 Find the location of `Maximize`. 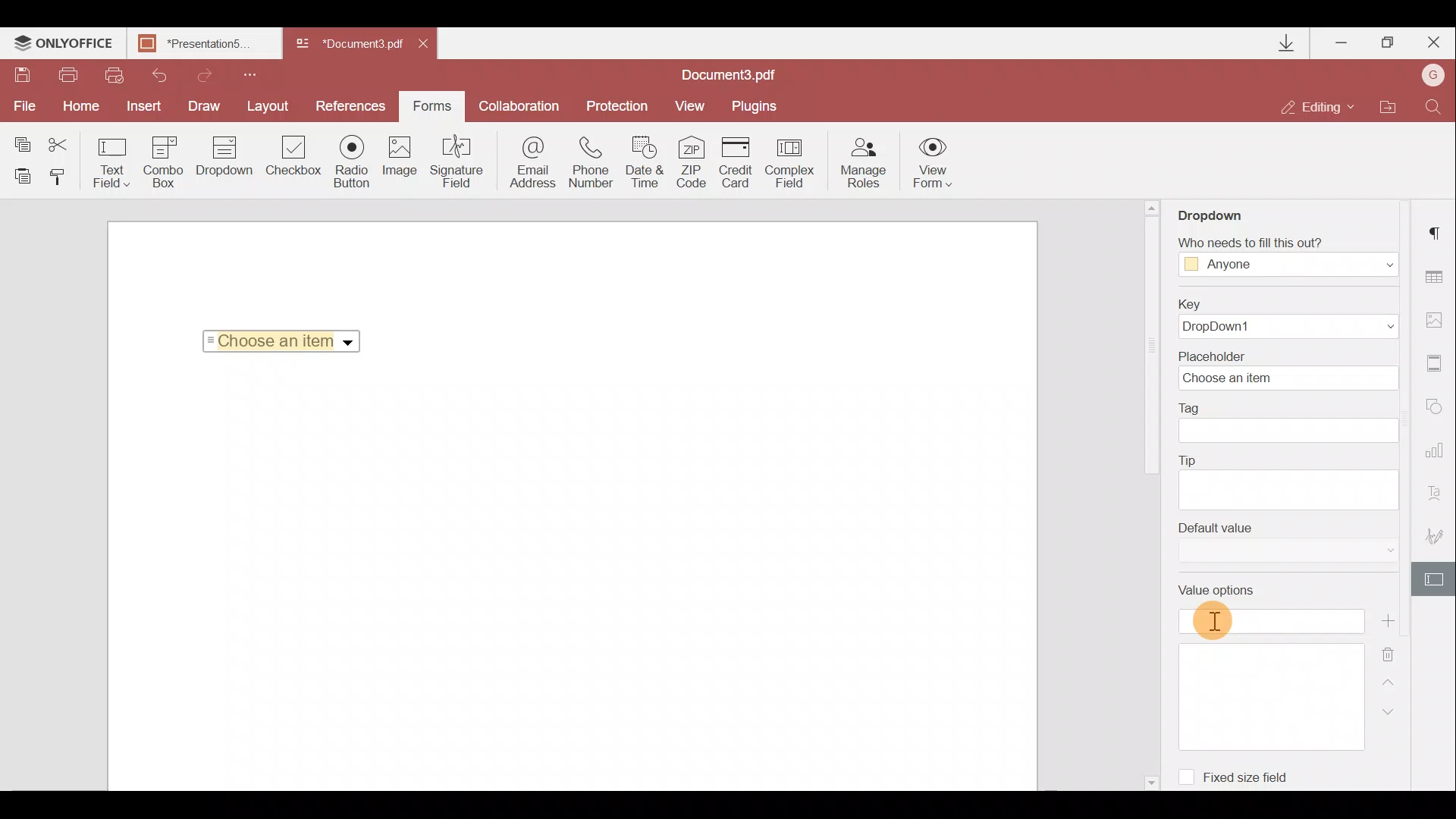

Maximize is located at coordinates (1389, 42).